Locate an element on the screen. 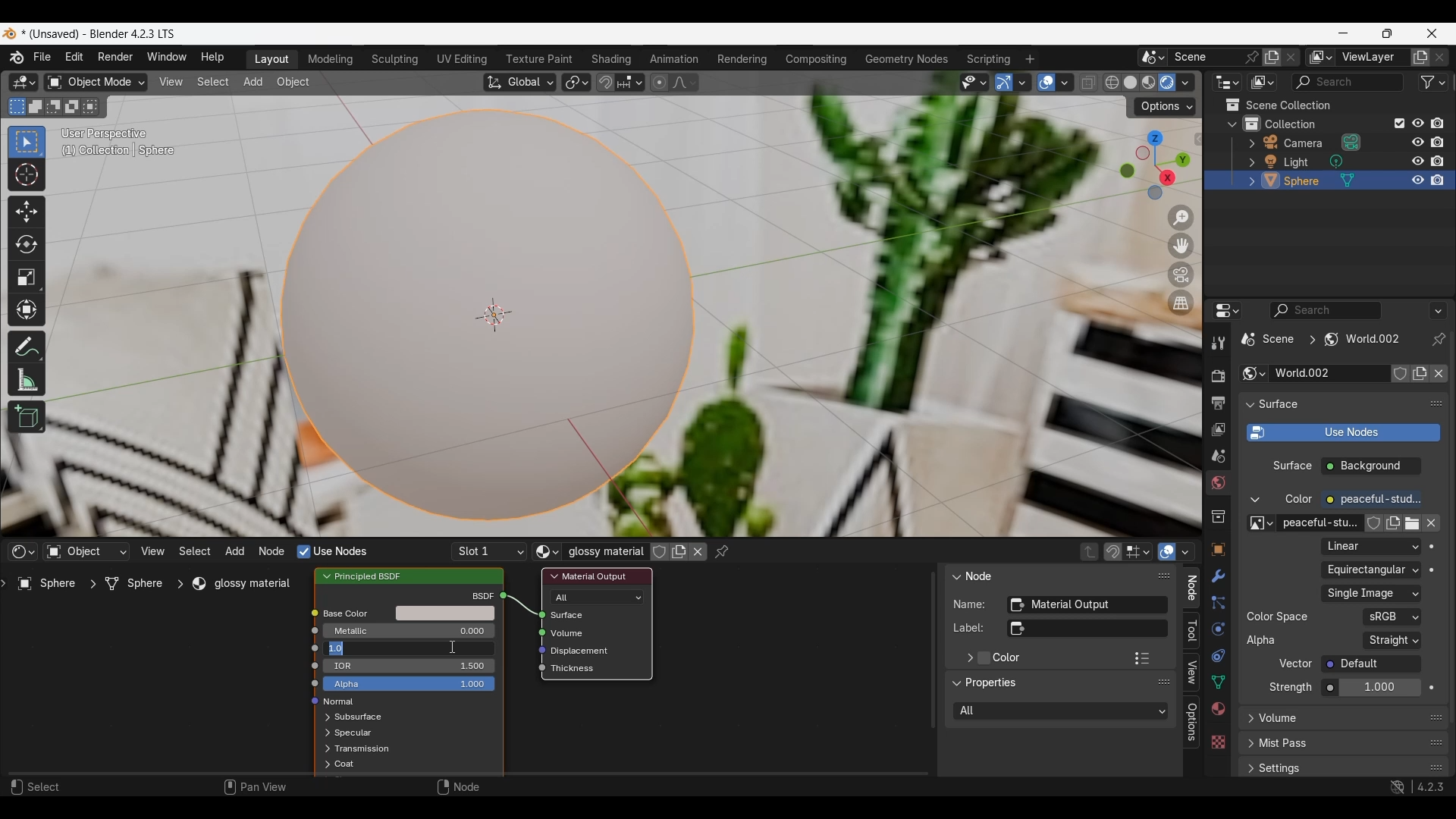  respectively hide in viewport is located at coordinates (1414, 162).